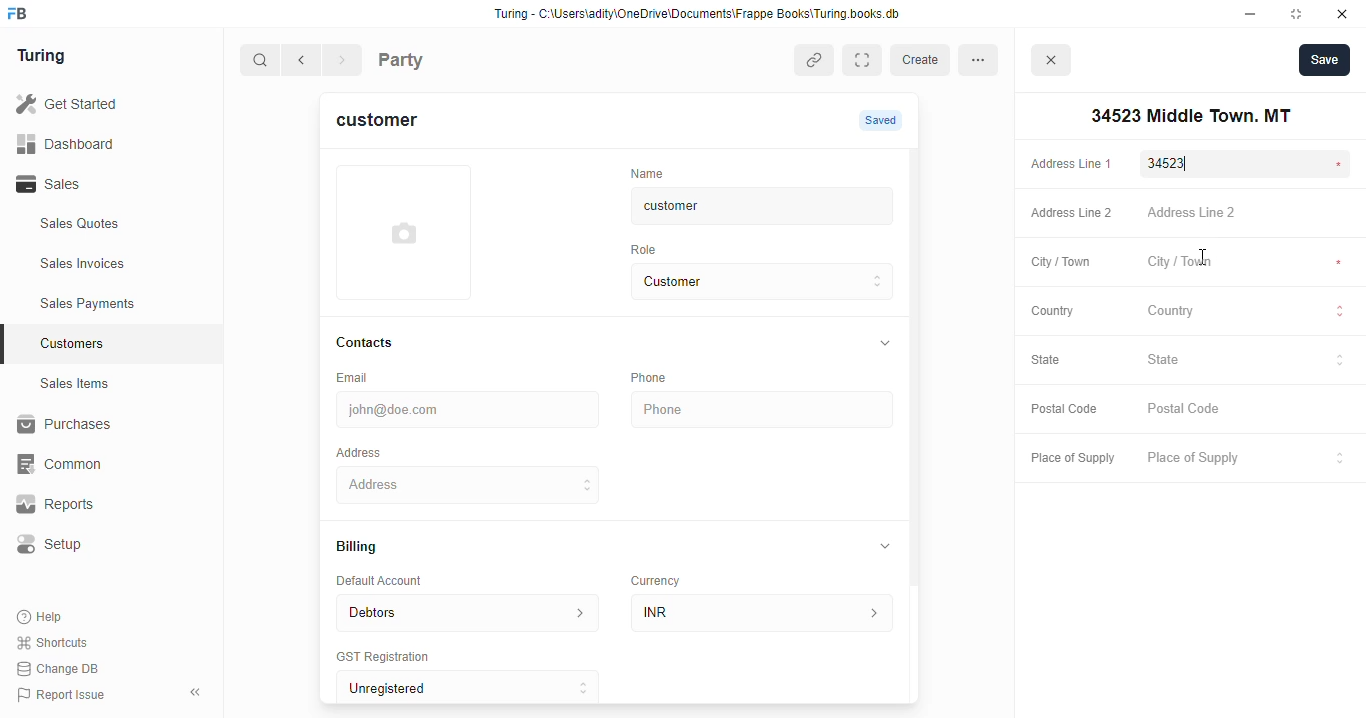 The height and width of the screenshot is (718, 1366). What do you see at coordinates (118, 304) in the screenshot?
I see `Sales Payments` at bounding box center [118, 304].